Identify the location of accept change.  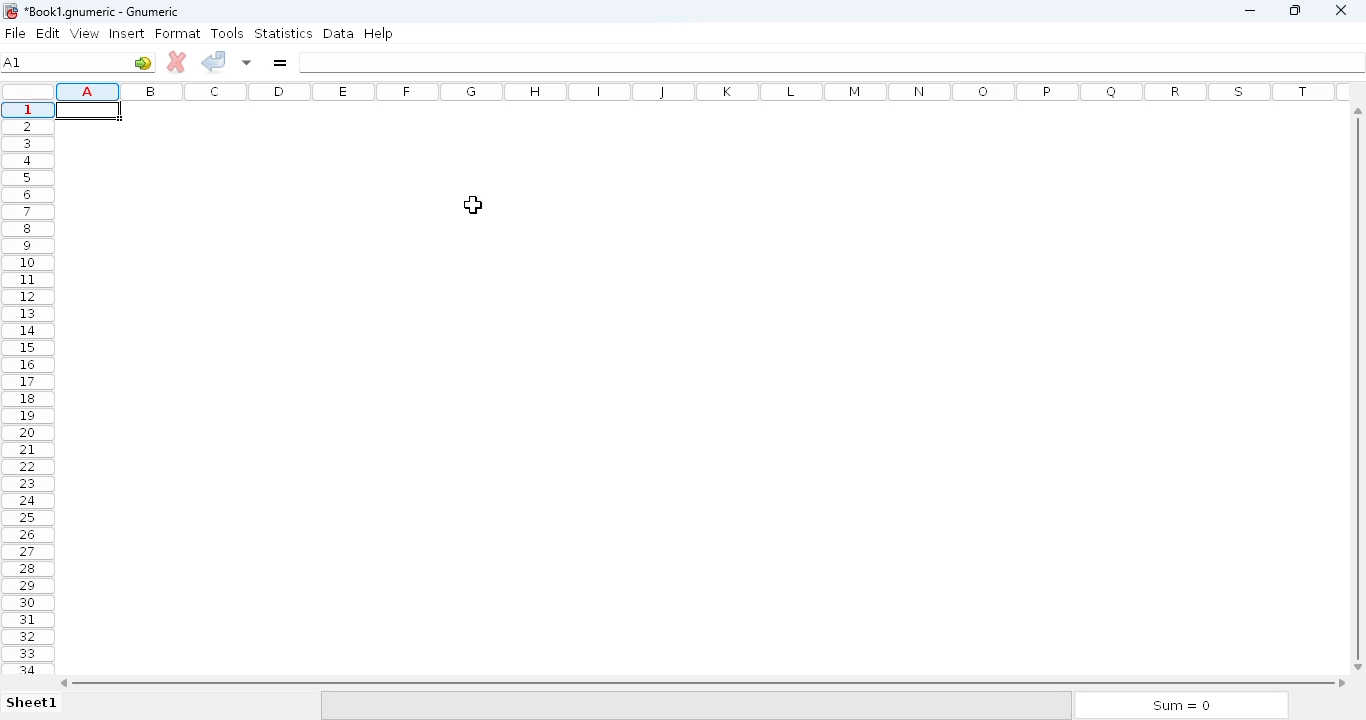
(214, 61).